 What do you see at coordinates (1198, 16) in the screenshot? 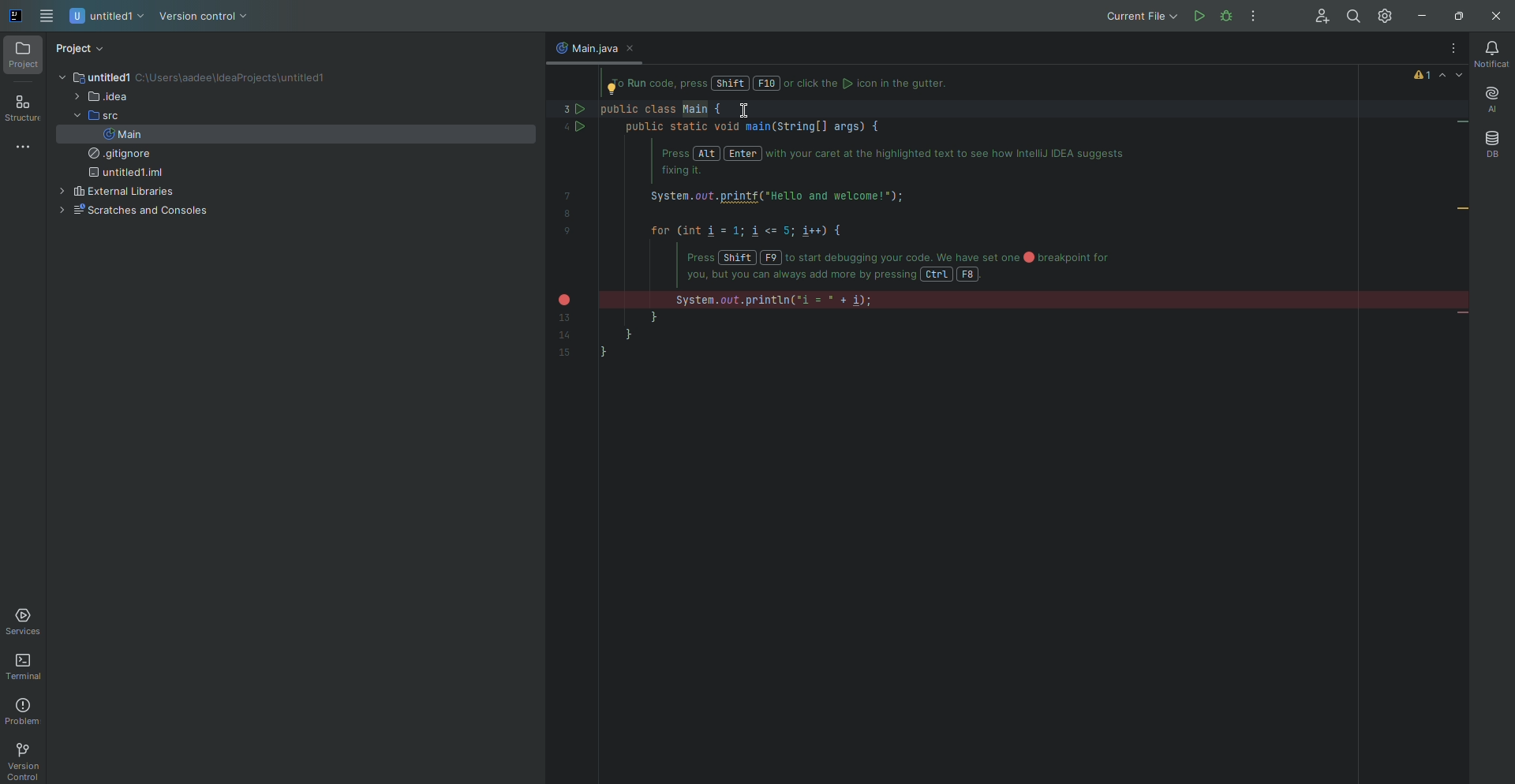
I see `Run Code` at bounding box center [1198, 16].